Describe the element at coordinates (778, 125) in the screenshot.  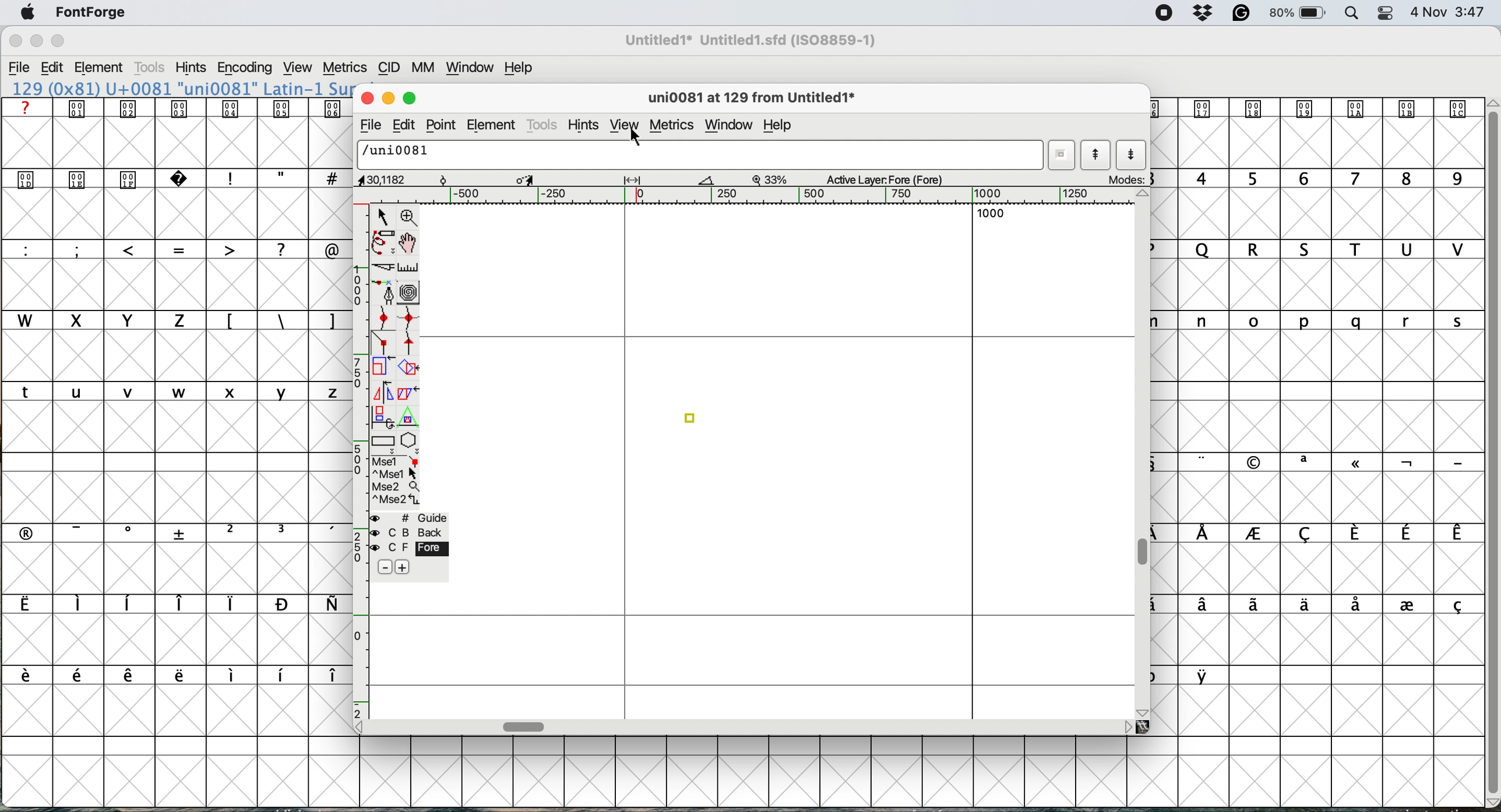
I see `help` at that location.